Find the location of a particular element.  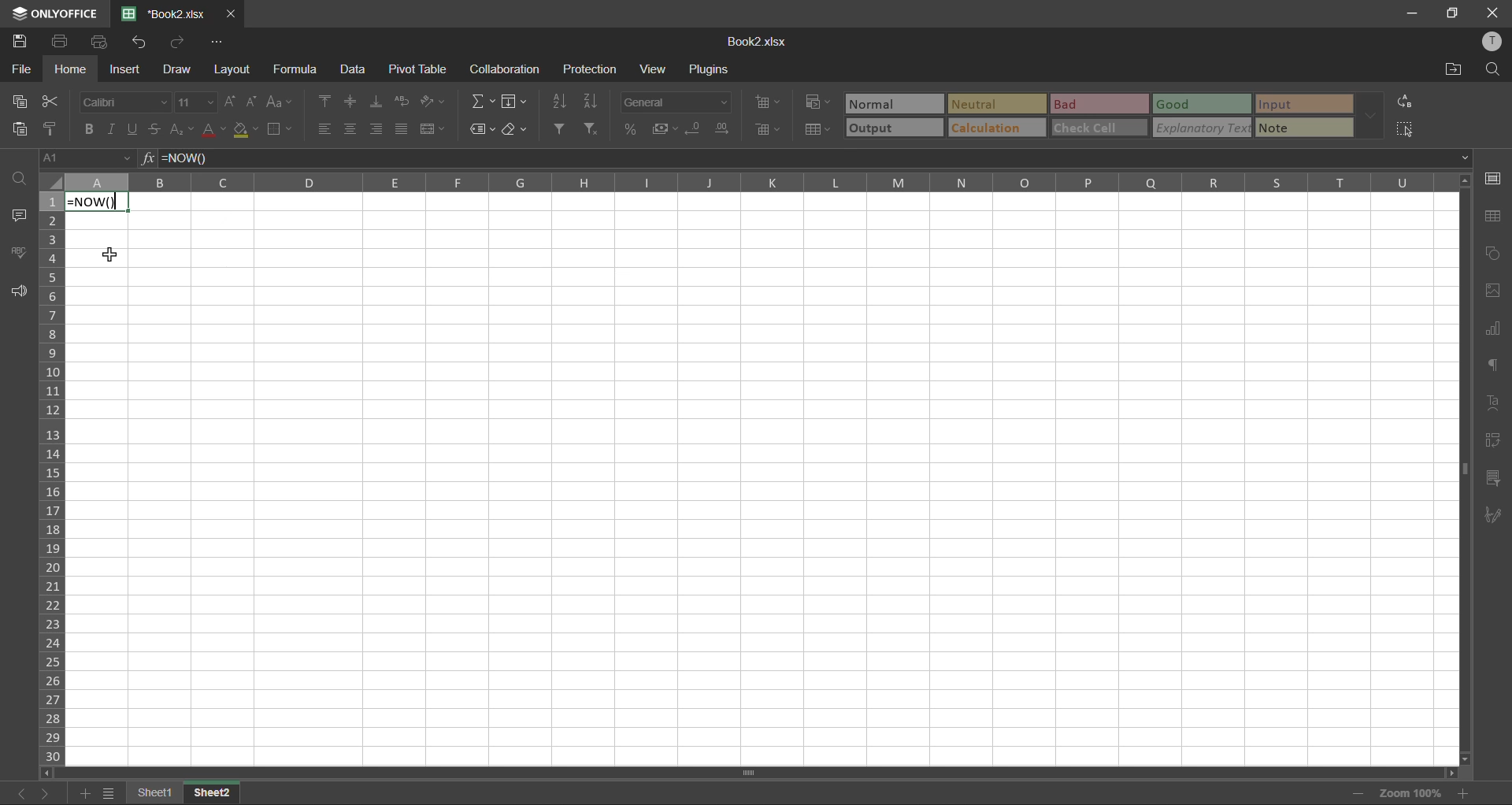

output is located at coordinates (892, 128).